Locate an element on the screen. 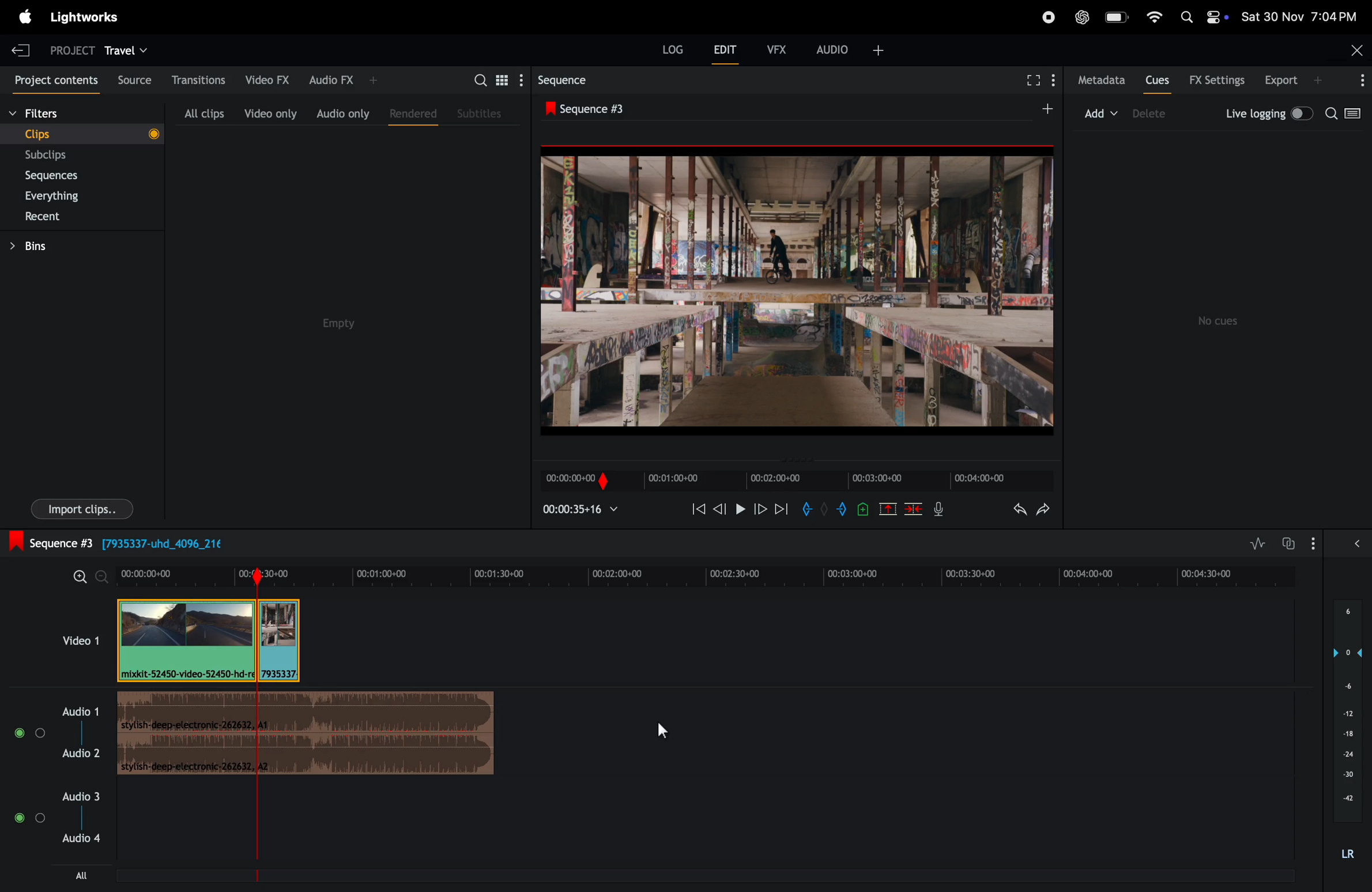 This screenshot has width=1372, height=892. transitions is located at coordinates (194, 80).